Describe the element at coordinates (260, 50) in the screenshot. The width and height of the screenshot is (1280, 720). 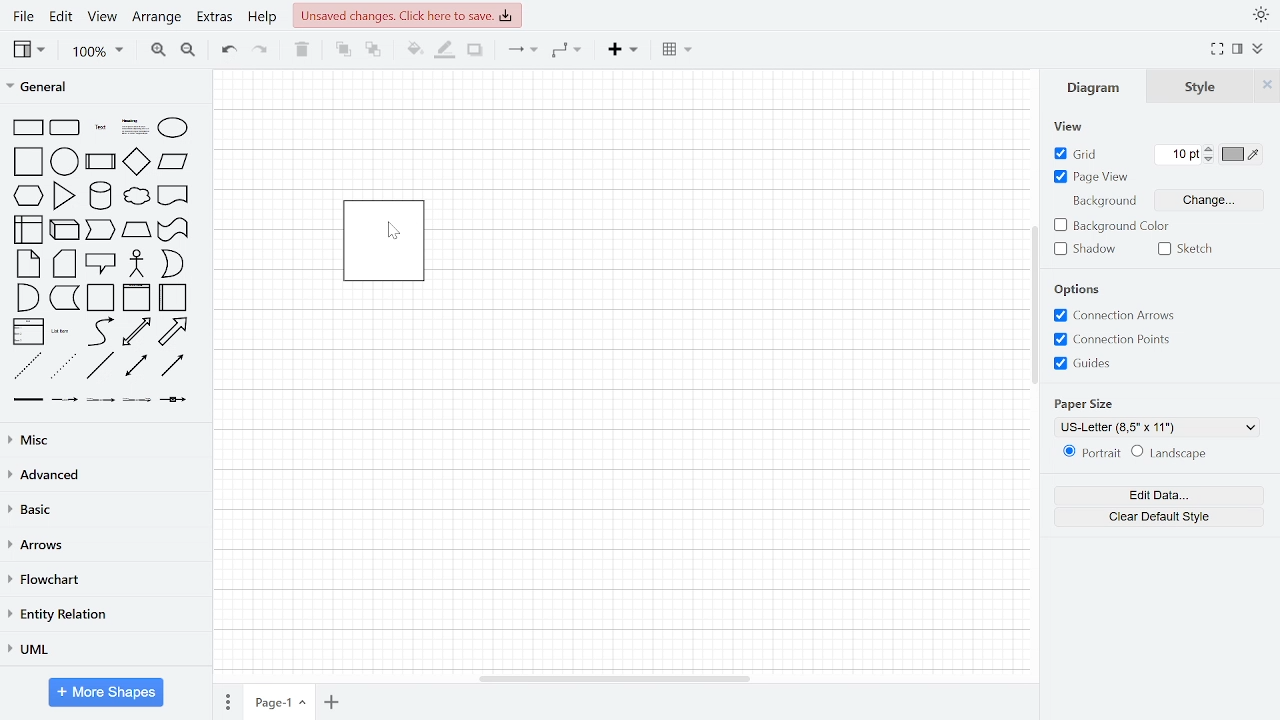
I see `redo` at that location.